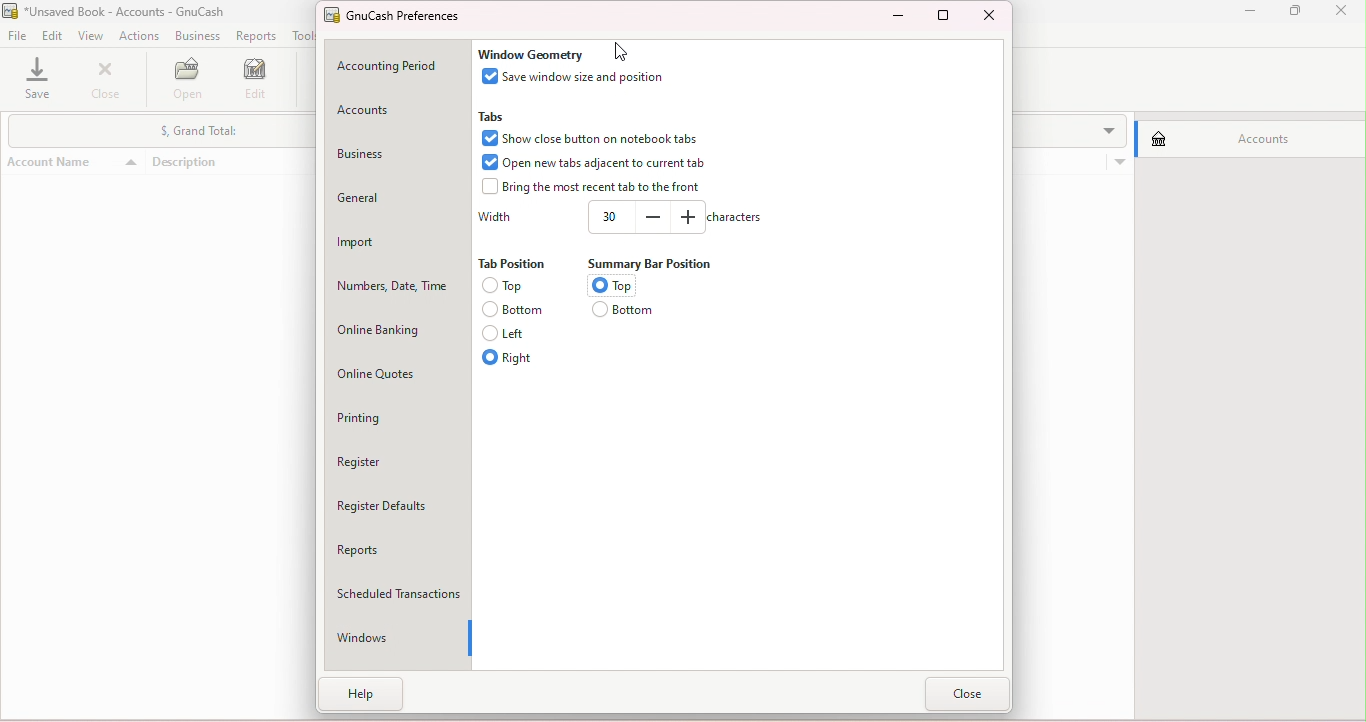  I want to click on Open new tabs adjacent to tab, so click(605, 163).